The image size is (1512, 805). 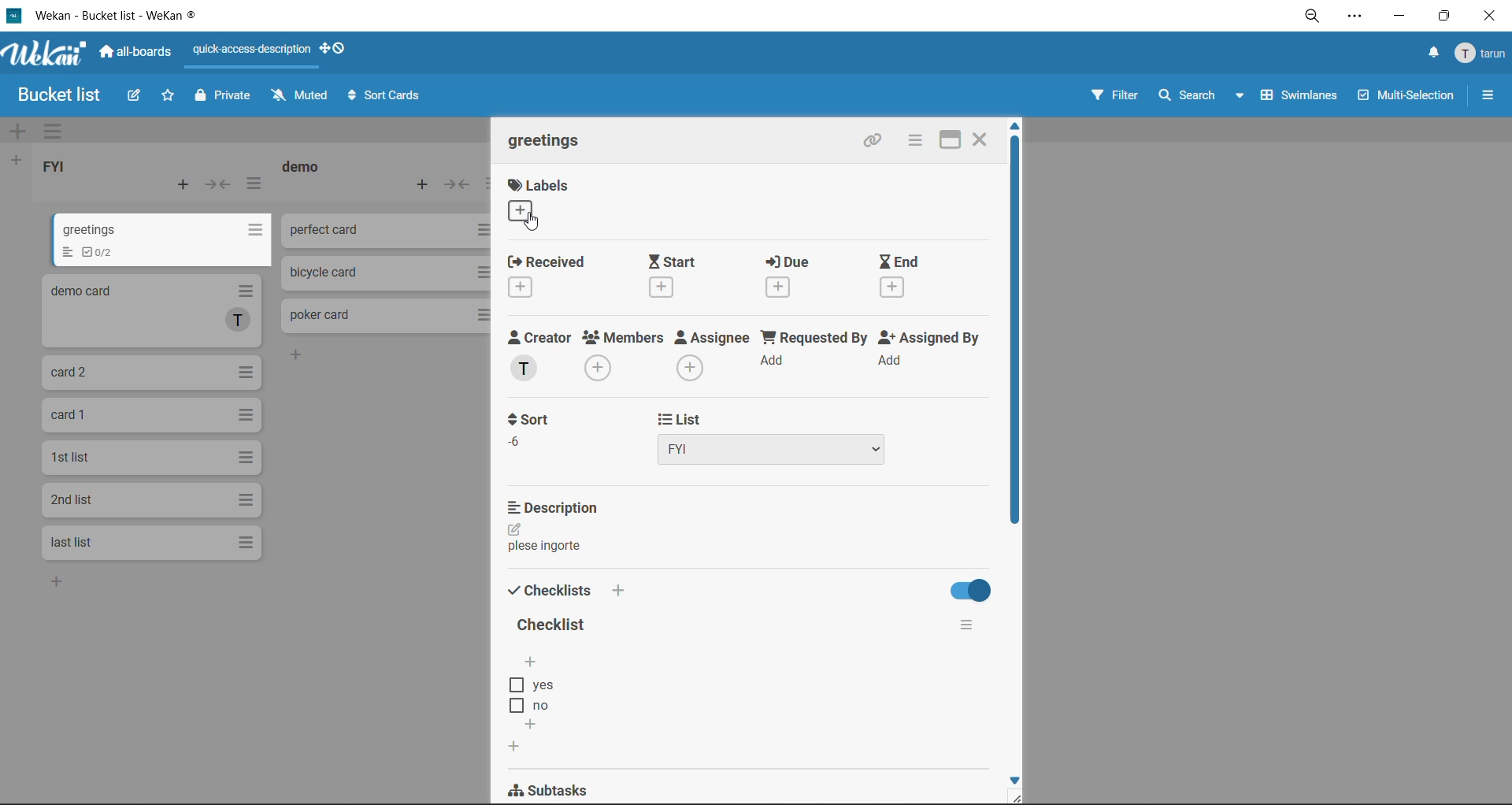 What do you see at coordinates (152, 417) in the screenshot?
I see `card 4` at bounding box center [152, 417].